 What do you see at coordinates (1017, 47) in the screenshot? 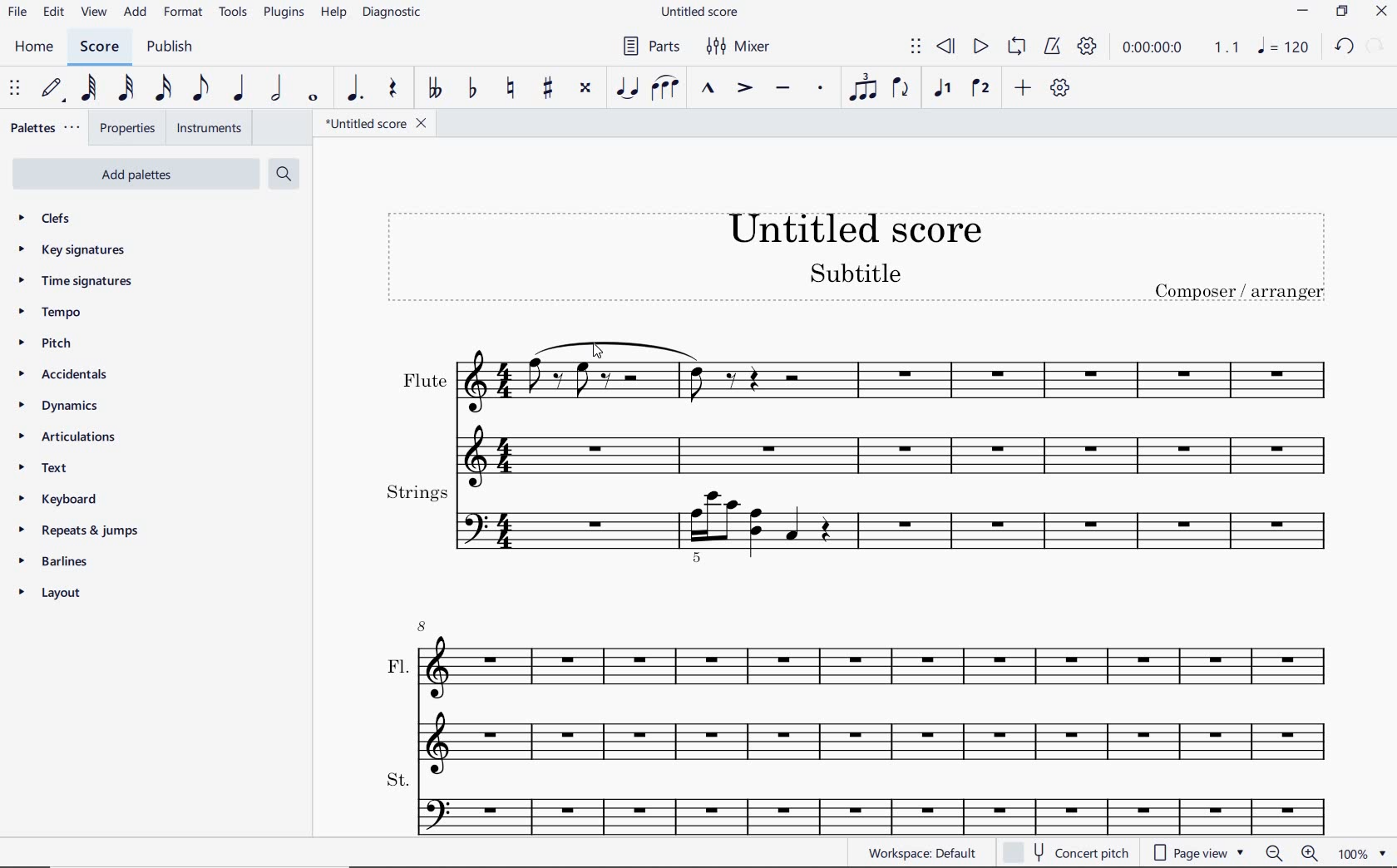
I see `LOOP PLAYBACK` at bounding box center [1017, 47].